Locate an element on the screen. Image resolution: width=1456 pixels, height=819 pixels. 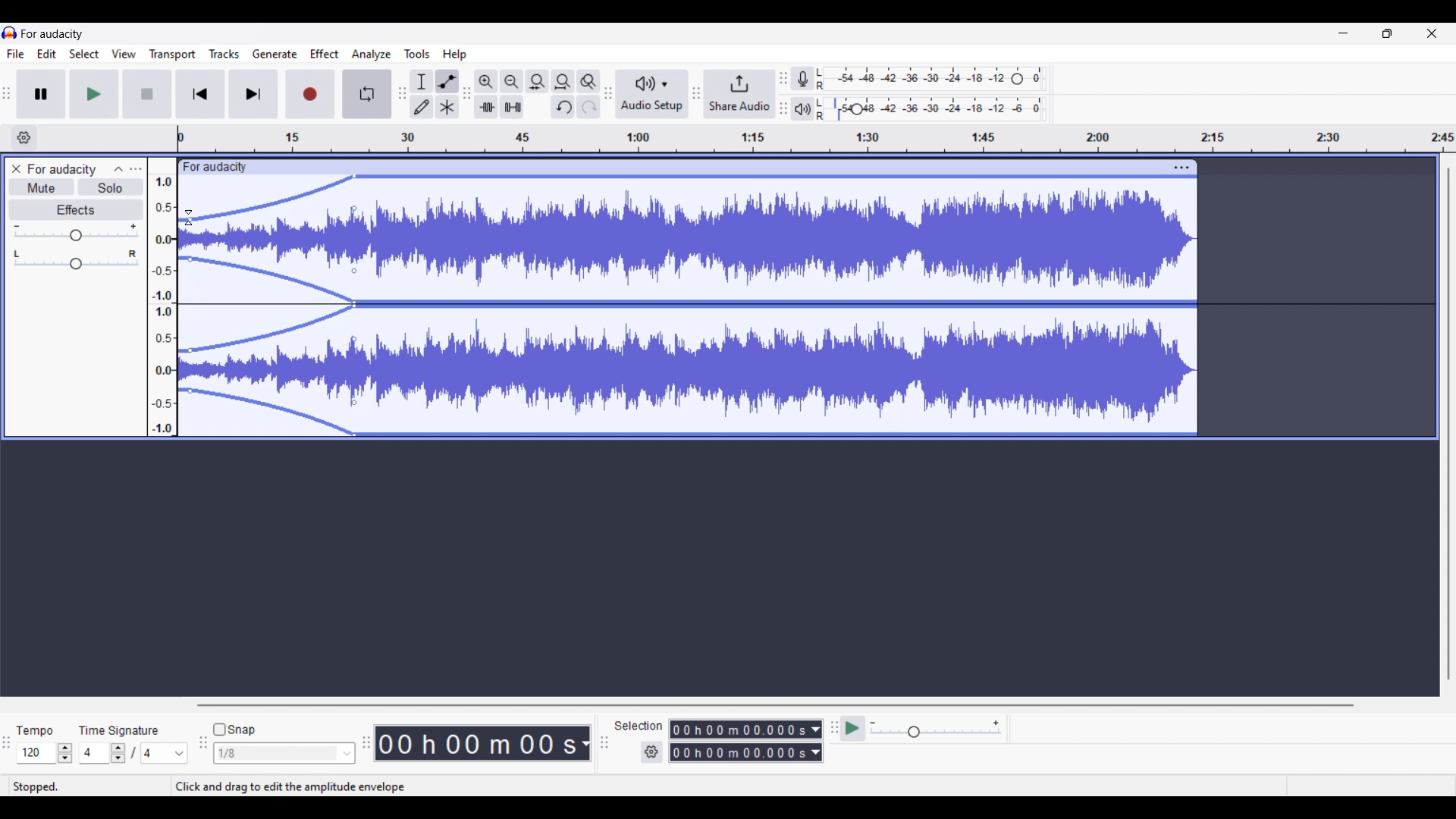
Horizontal slide bar is located at coordinates (774, 705).